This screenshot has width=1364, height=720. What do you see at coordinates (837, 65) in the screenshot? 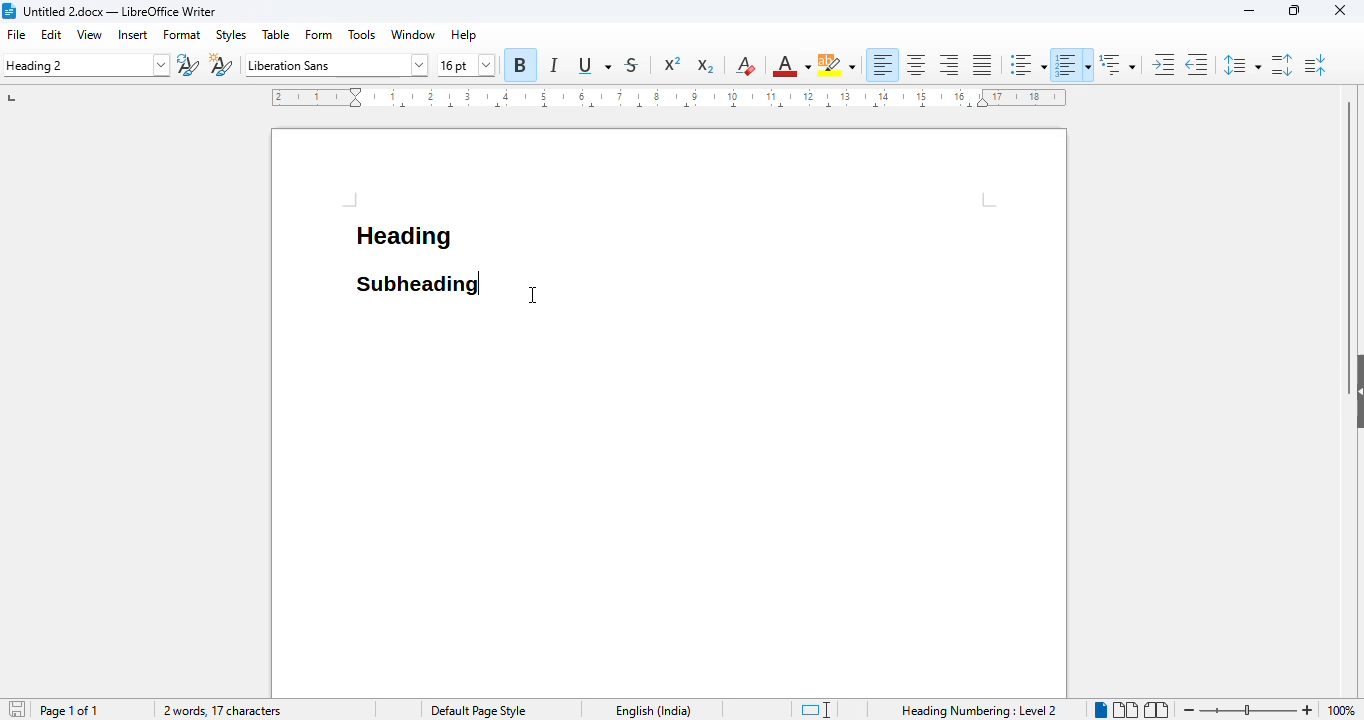
I see `character highlighting color` at bounding box center [837, 65].